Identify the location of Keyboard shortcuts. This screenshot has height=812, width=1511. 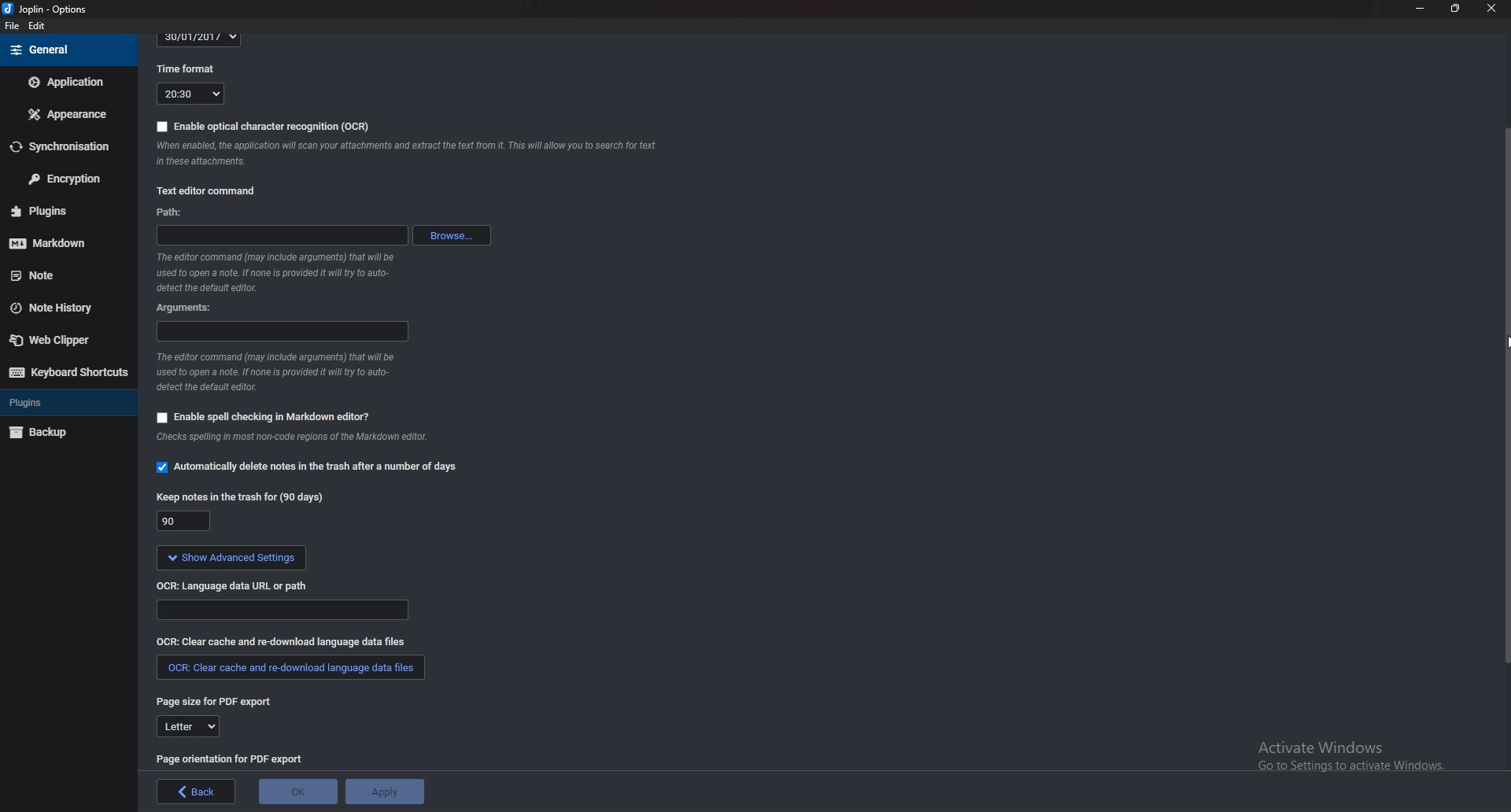
(68, 372).